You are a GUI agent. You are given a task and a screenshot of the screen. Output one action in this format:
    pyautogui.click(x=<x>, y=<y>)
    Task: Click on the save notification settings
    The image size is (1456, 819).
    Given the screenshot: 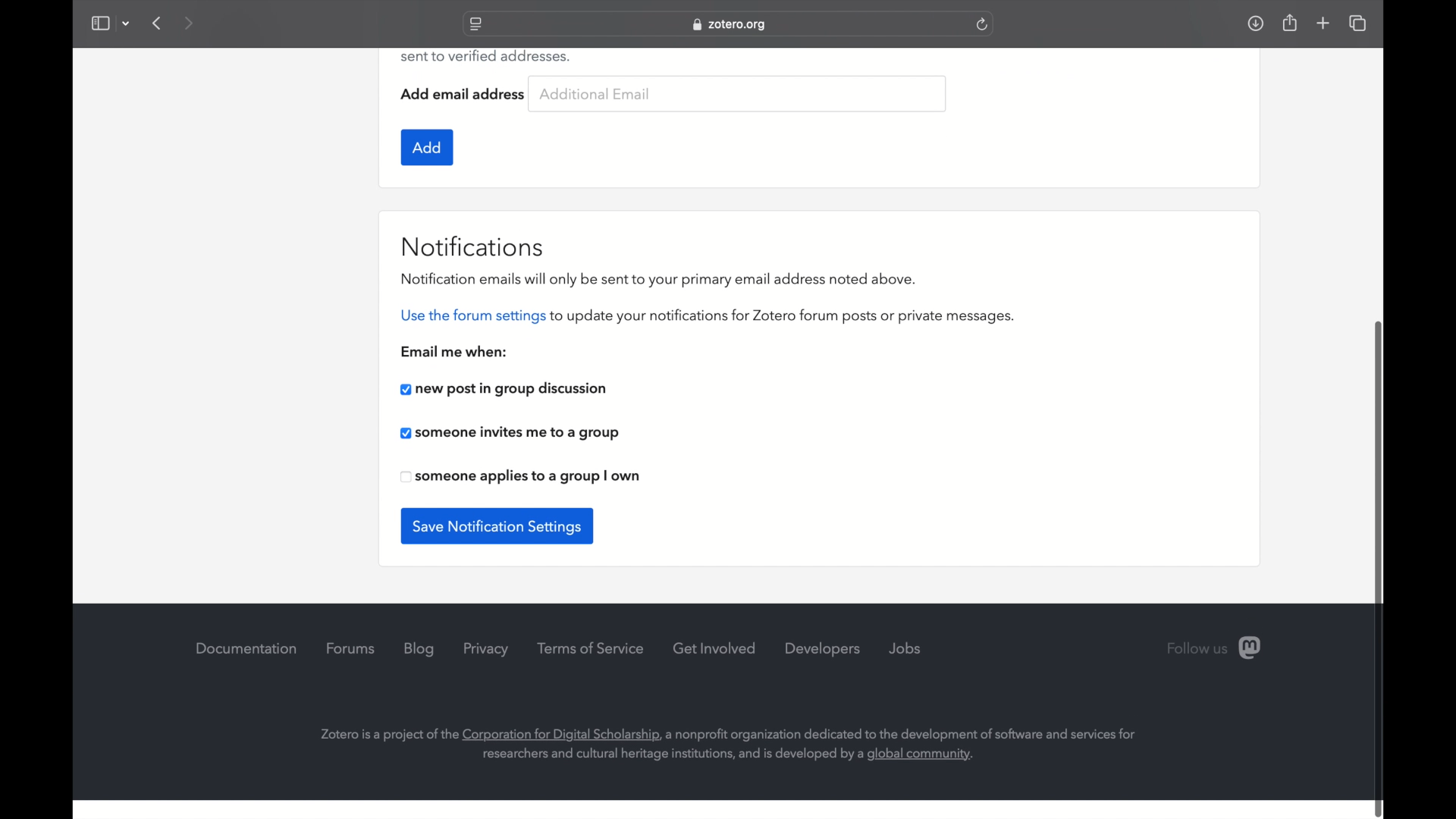 What is the action you would take?
    pyautogui.click(x=497, y=526)
    